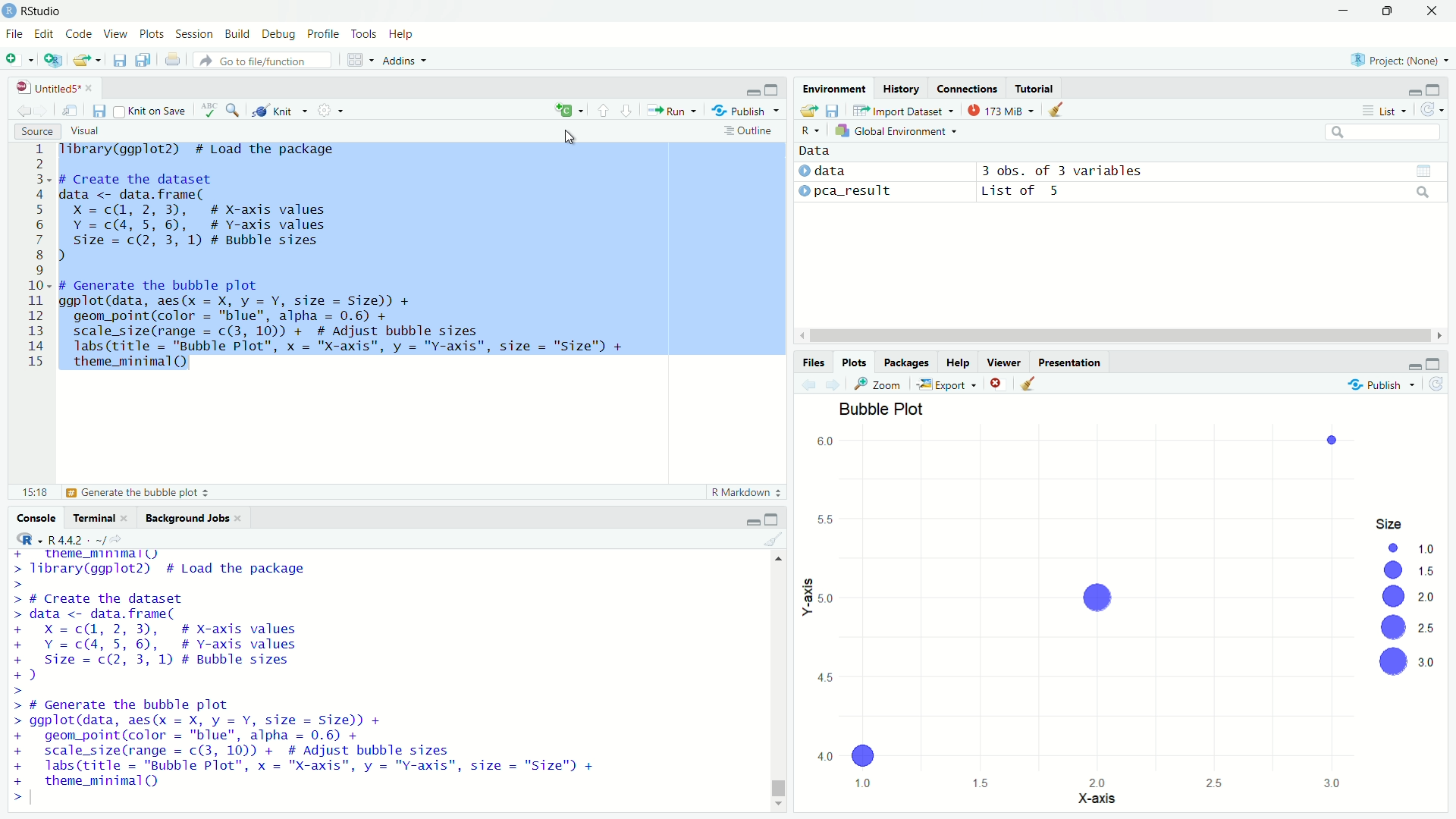  What do you see at coordinates (307, 677) in the screenshot?
I see `Tibrary(ggplot2) # Load the package

# Create the dataset

data <- data. frame(
X =c(@, 2, 3), # X-axis values
Y = c(4, 5, 6), # Y-axis values
size = c(2, 3, 1) # Bubble sizes

)

# Generate the bubble plot

ggplot(data, aes(x = X, y = Y, size = Size)) +
geom_point(color = "blue", alpha = 0.6) +
scale_size(range = c(3, 10)) + # Adjust bubble sizes
labs (title = "Bubble Plot", x = "X-axis", y = "Y-axis", size = "Size") +
theme_minimal ()` at bounding box center [307, 677].